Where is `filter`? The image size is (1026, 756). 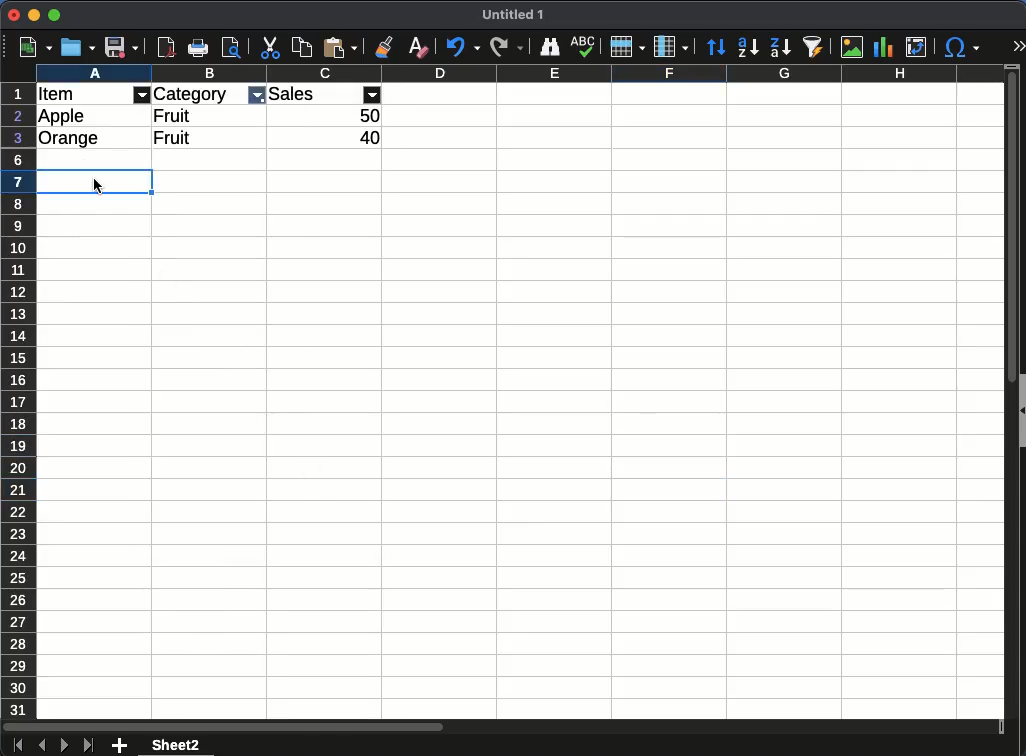 filter is located at coordinates (256, 96).